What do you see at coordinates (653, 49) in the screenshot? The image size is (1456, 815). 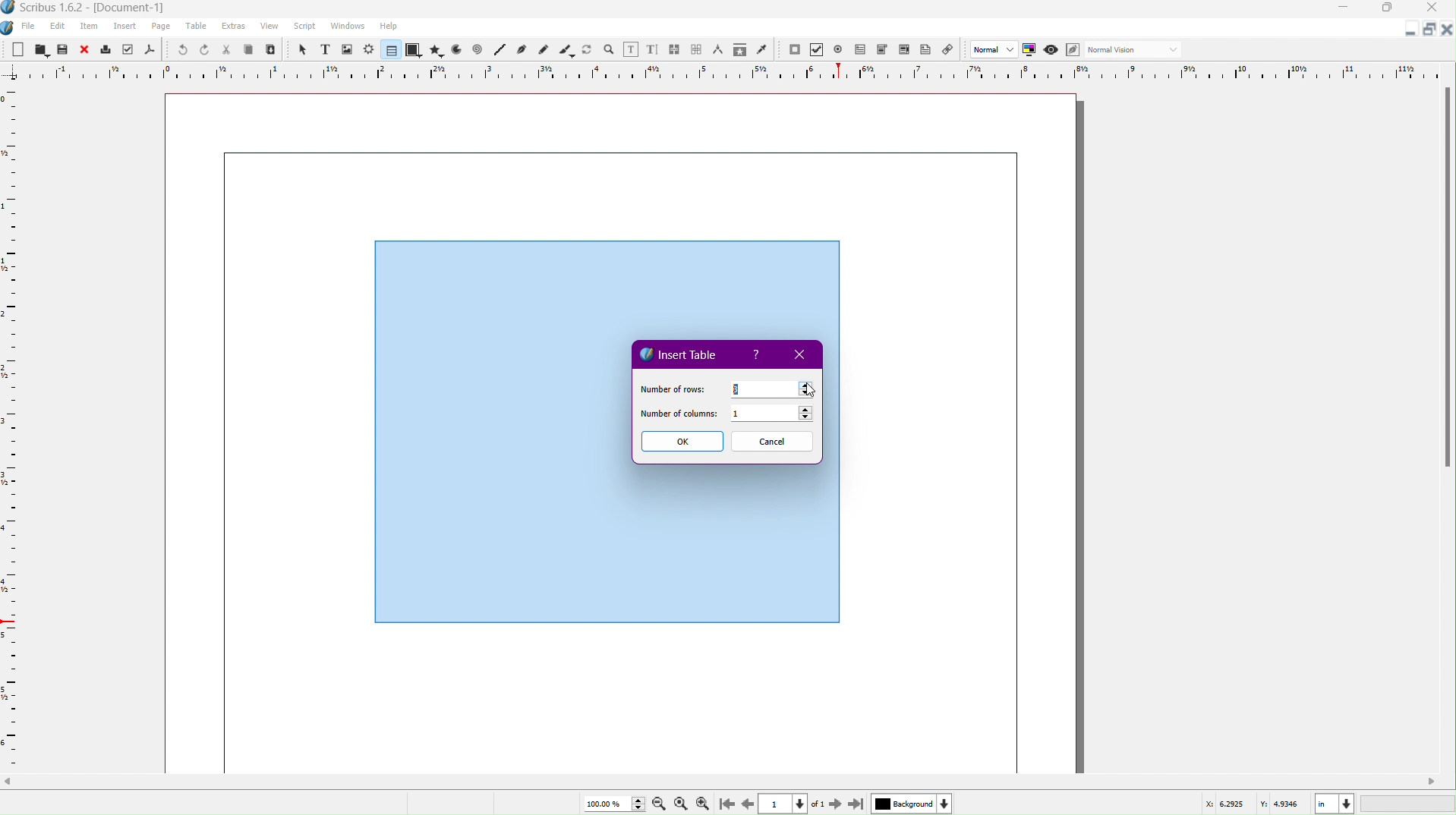 I see `Edit Text with Story Editor` at bounding box center [653, 49].